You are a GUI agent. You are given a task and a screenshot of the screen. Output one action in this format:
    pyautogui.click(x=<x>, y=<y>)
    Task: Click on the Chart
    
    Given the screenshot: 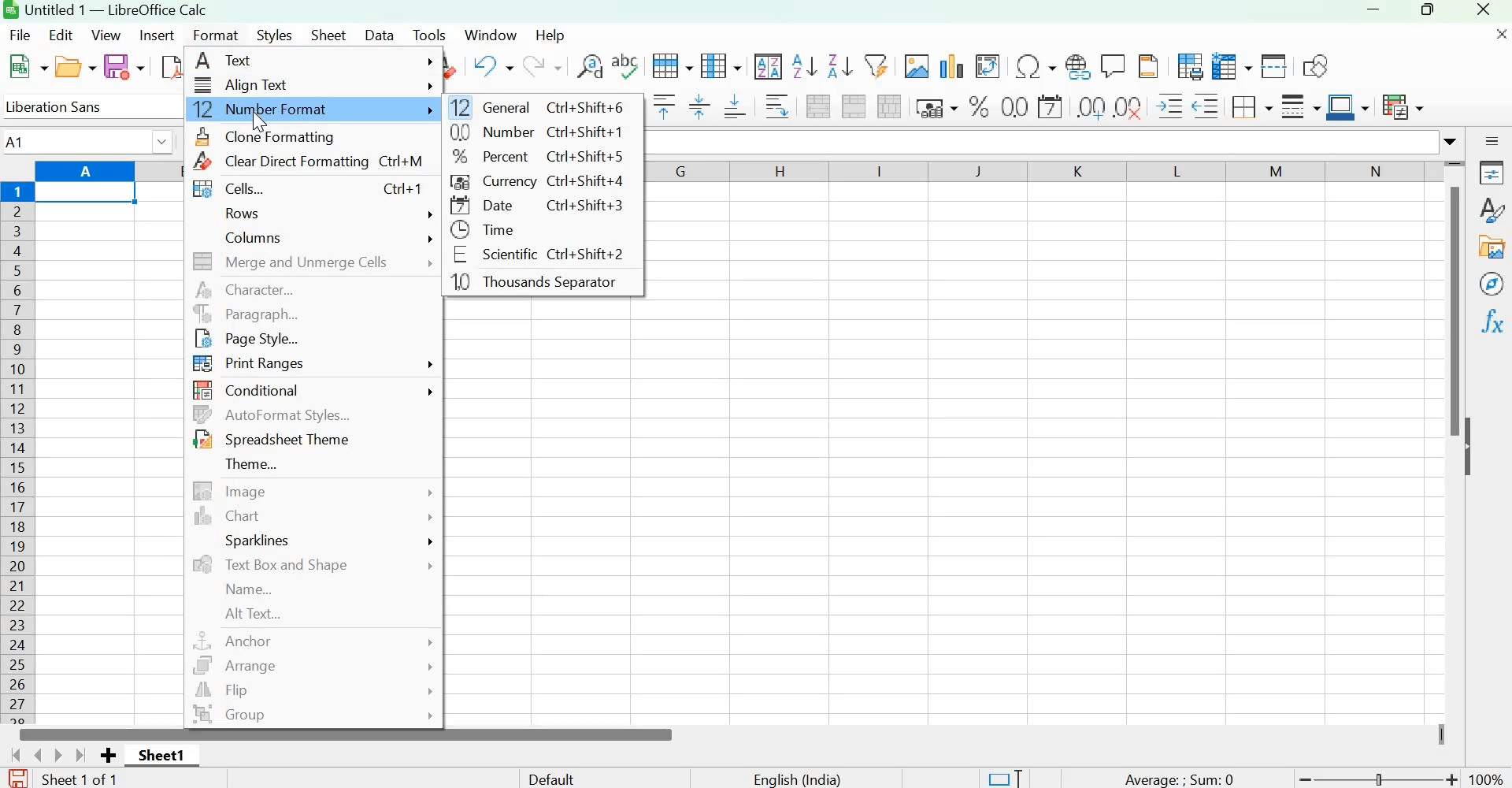 What is the action you would take?
    pyautogui.click(x=234, y=517)
    